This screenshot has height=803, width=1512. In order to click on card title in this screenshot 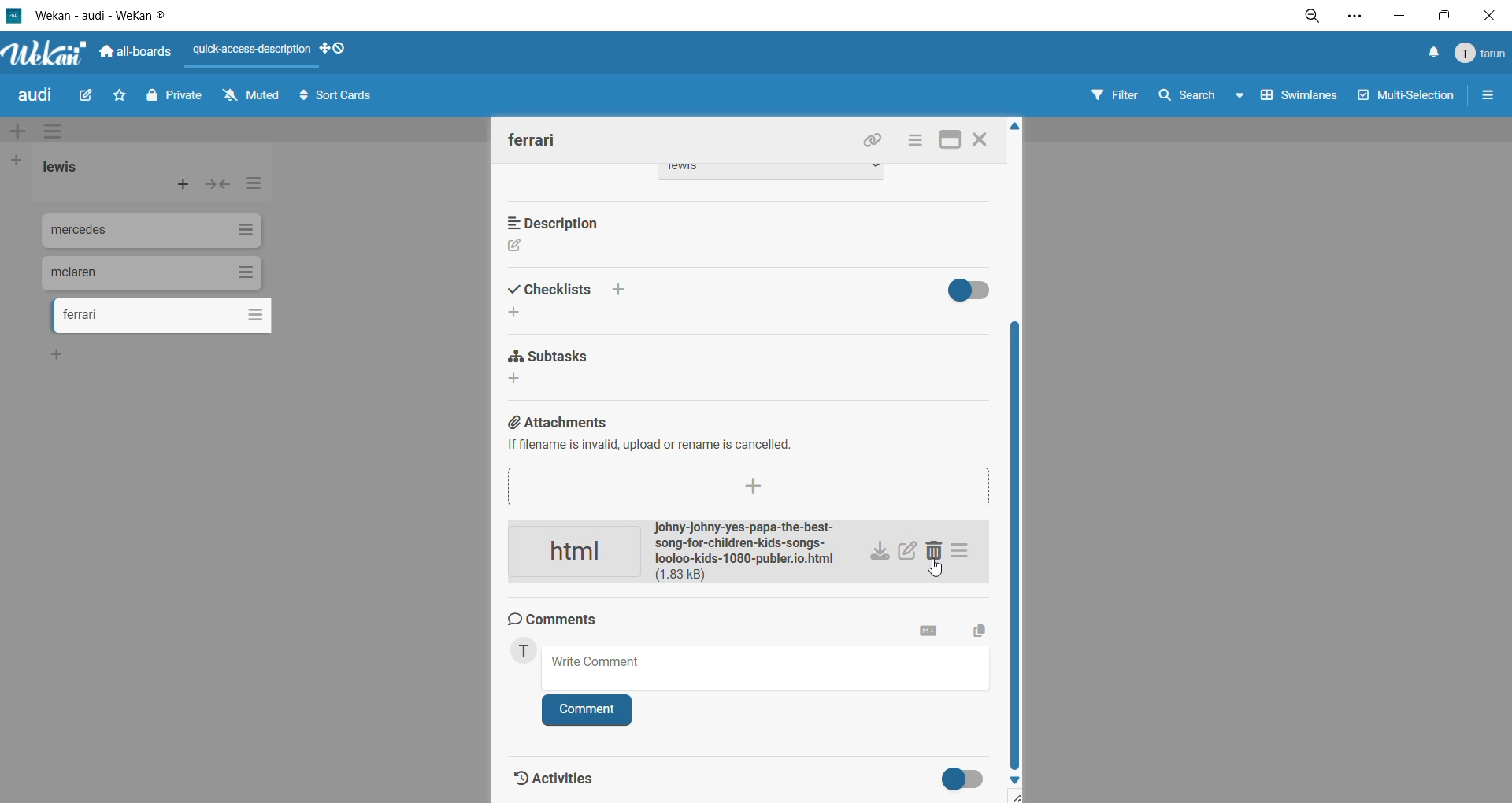, I will do `click(533, 139)`.